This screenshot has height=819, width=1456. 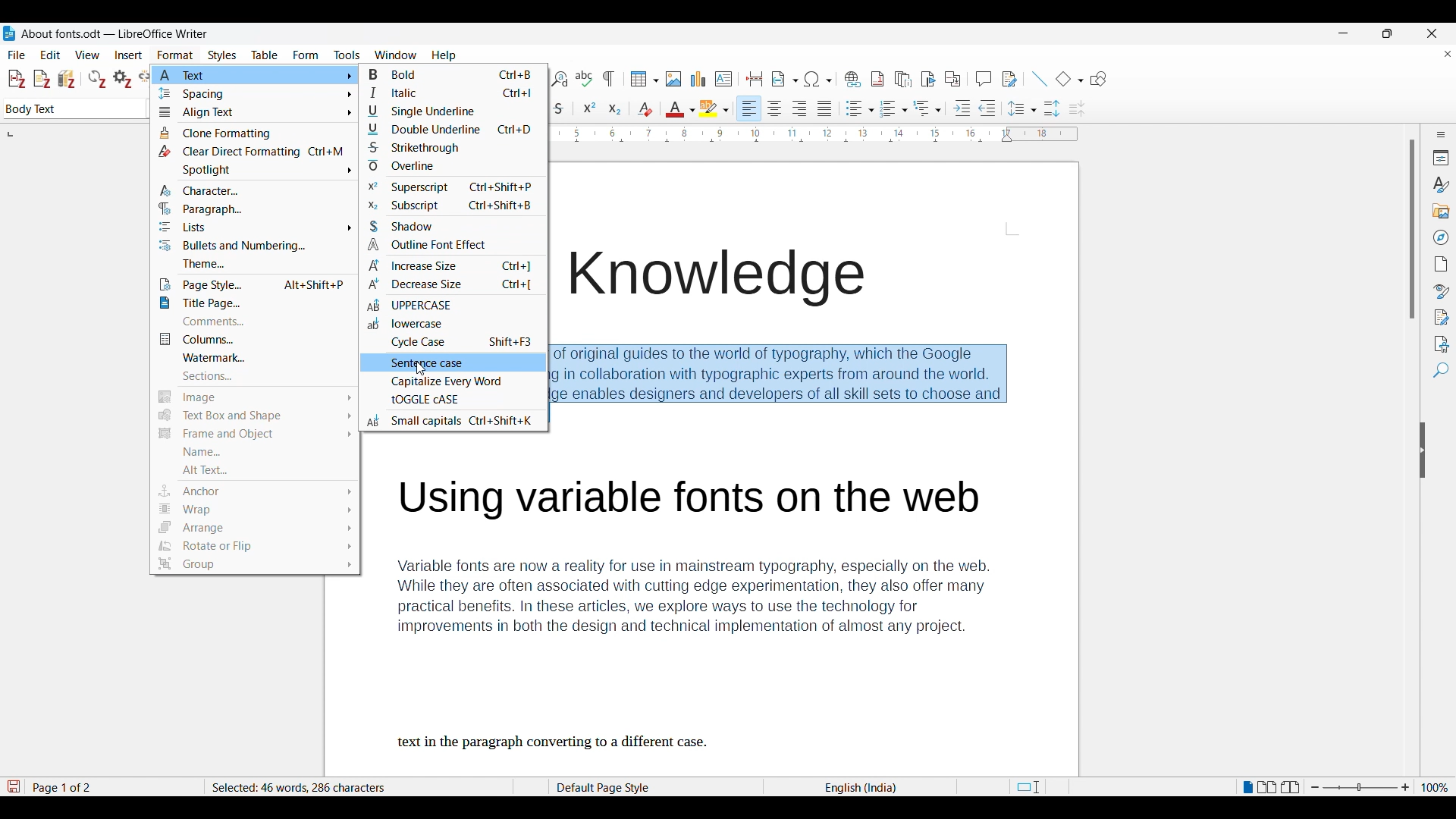 I want to click on Anchor, so click(x=258, y=490).